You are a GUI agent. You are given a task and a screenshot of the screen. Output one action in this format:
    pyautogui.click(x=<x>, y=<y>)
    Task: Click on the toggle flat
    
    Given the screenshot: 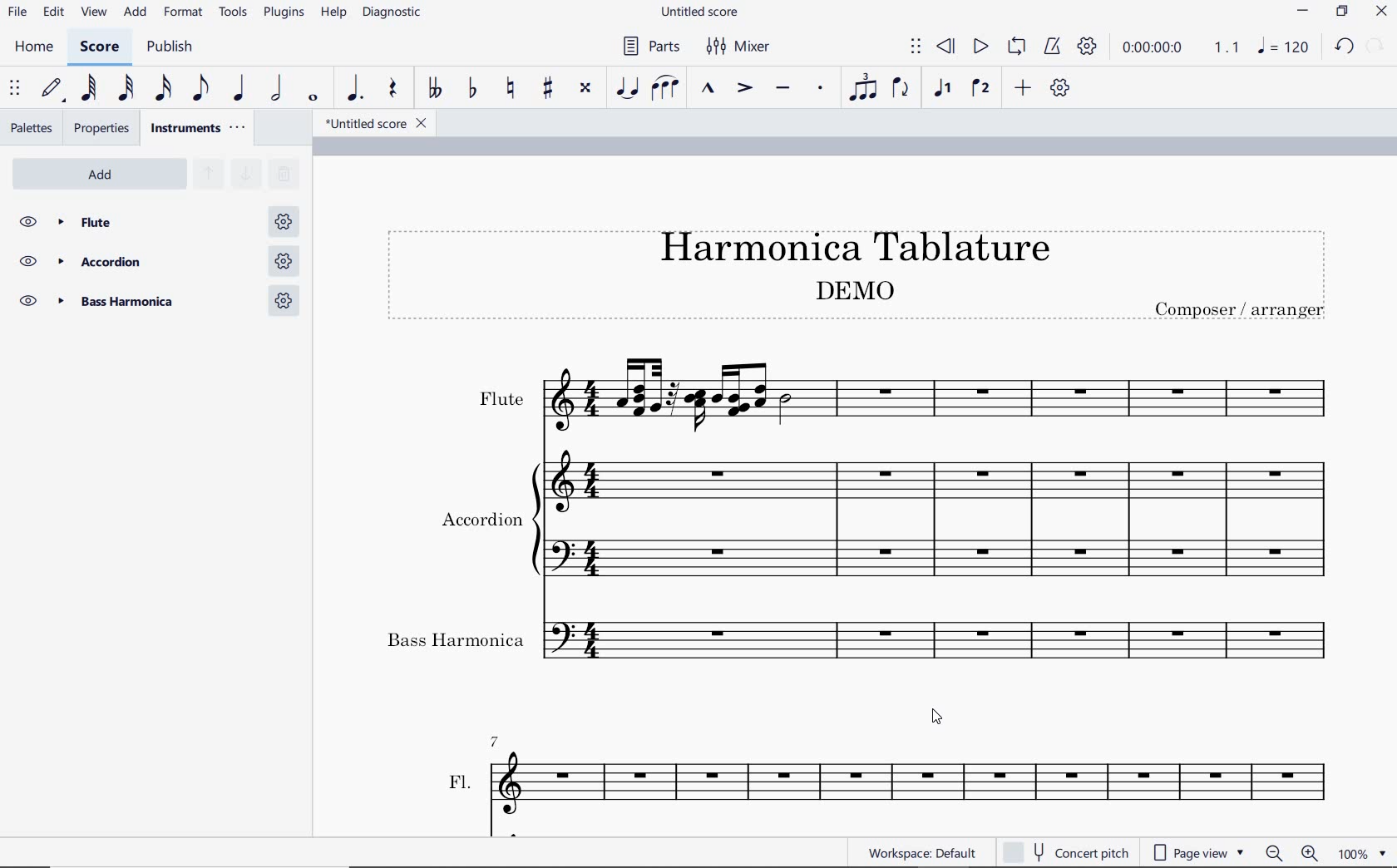 What is the action you would take?
    pyautogui.click(x=471, y=90)
    